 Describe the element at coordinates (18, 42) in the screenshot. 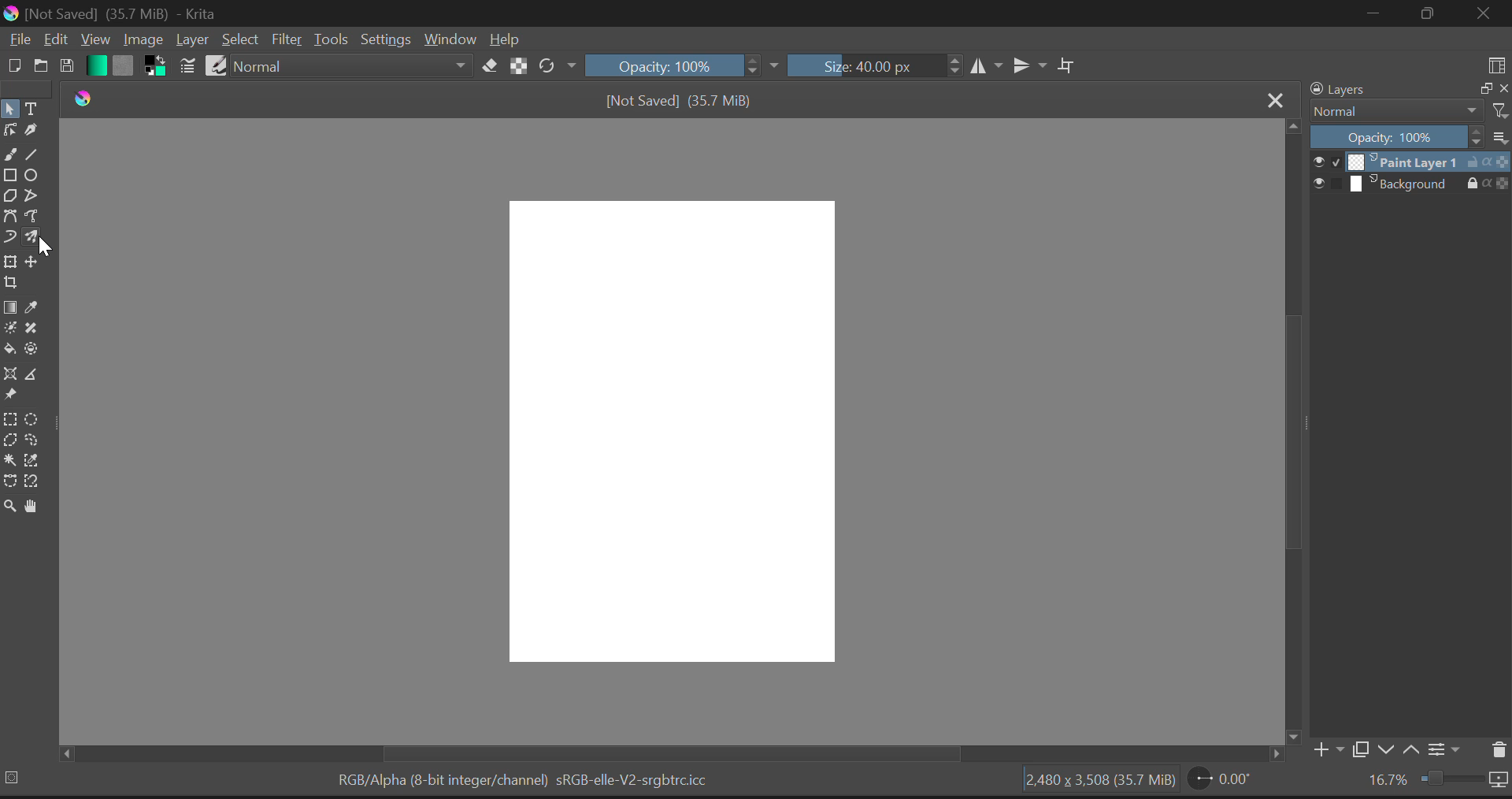

I see `File` at that location.